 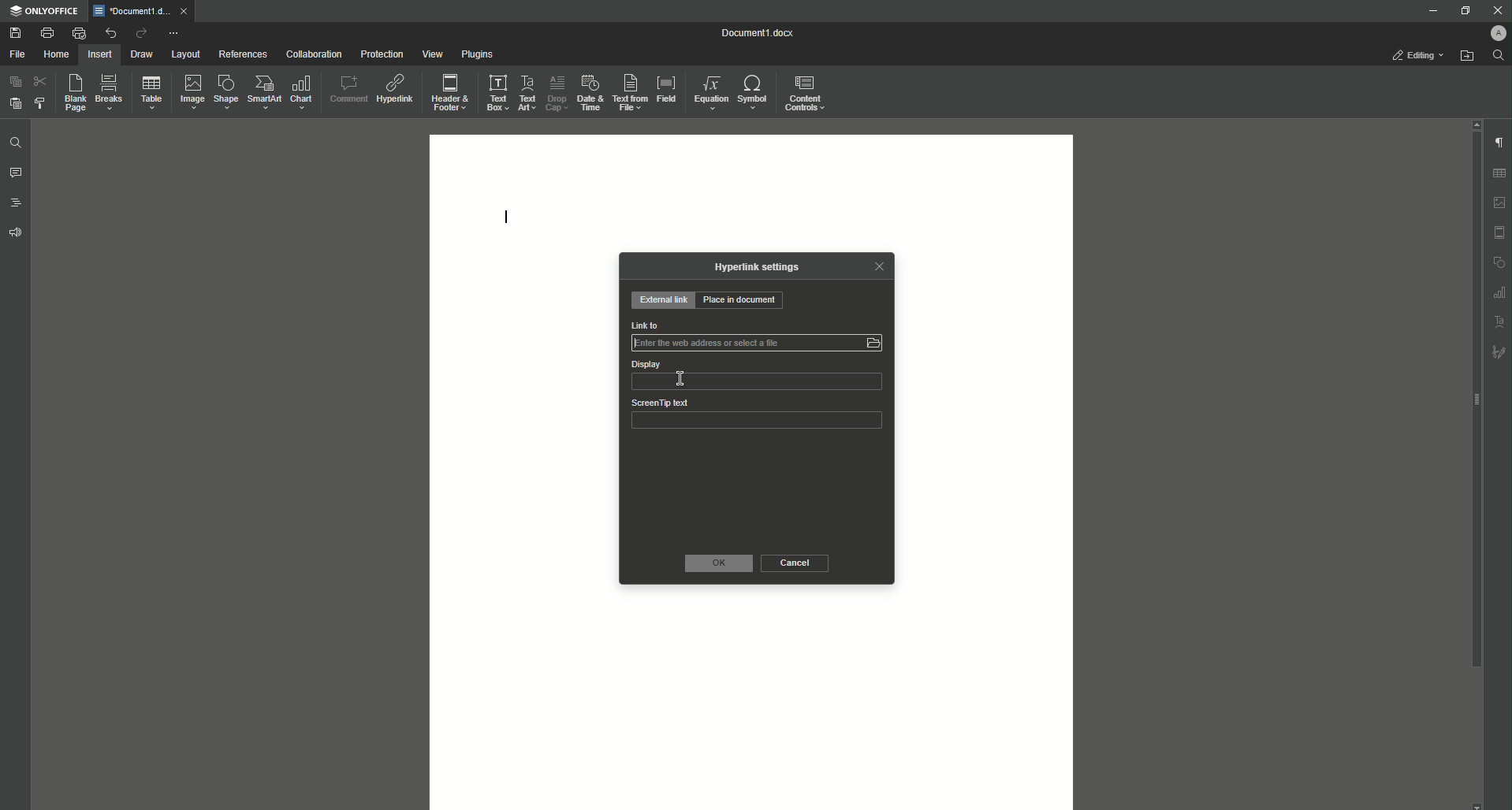 I want to click on Text Art, so click(x=528, y=93).